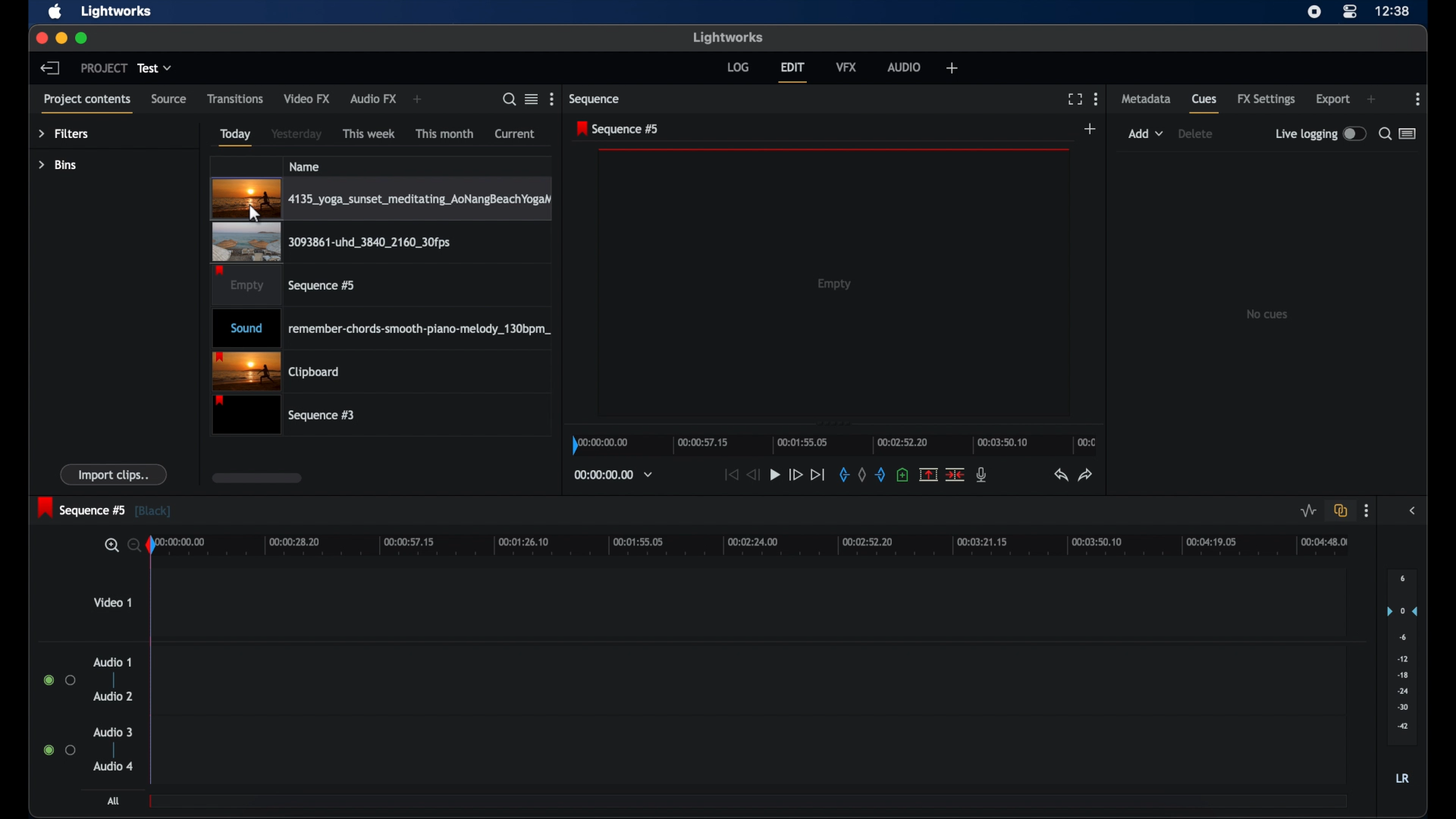 Image resolution: width=1456 pixels, height=819 pixels. What do you see at coordinates (369, 133) in the screenshot?
I see `this week` at bounding box center [369, 133].